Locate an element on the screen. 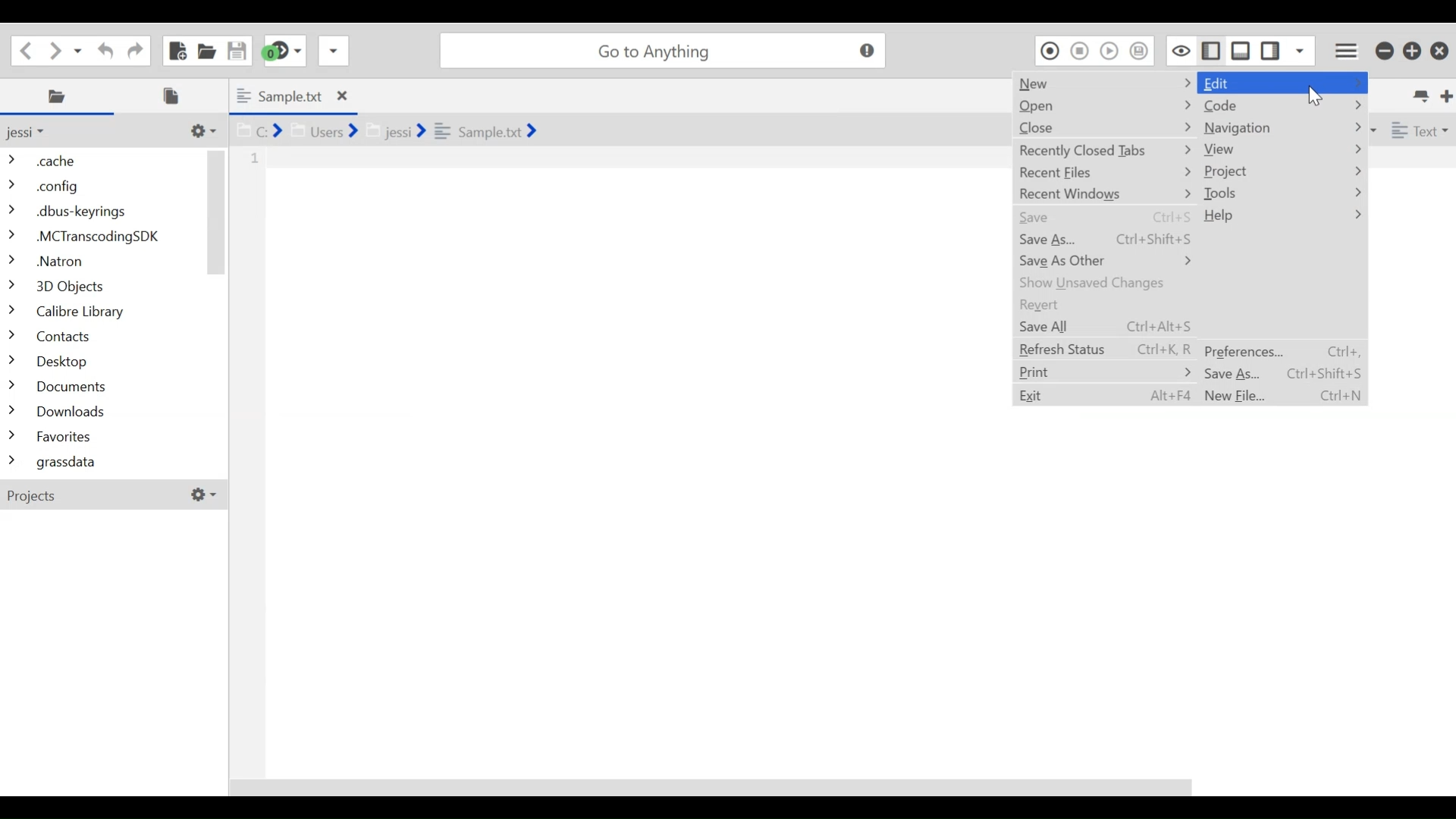  Show/ Hide left Pane is located at coordinates (1272, 50).